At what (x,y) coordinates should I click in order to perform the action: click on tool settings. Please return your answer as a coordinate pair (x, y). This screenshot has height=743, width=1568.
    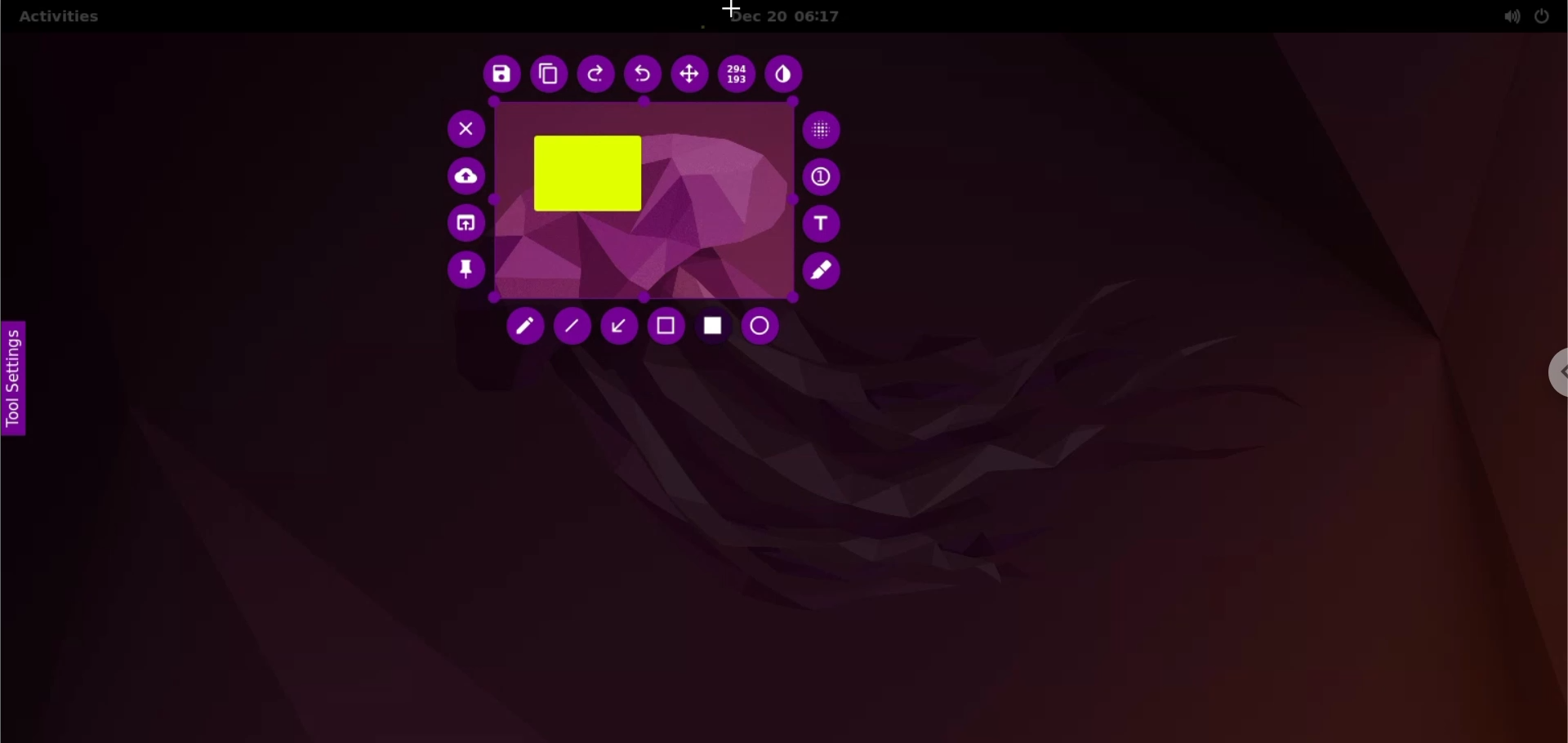
    Looking at the image, I should click on (20, 380).